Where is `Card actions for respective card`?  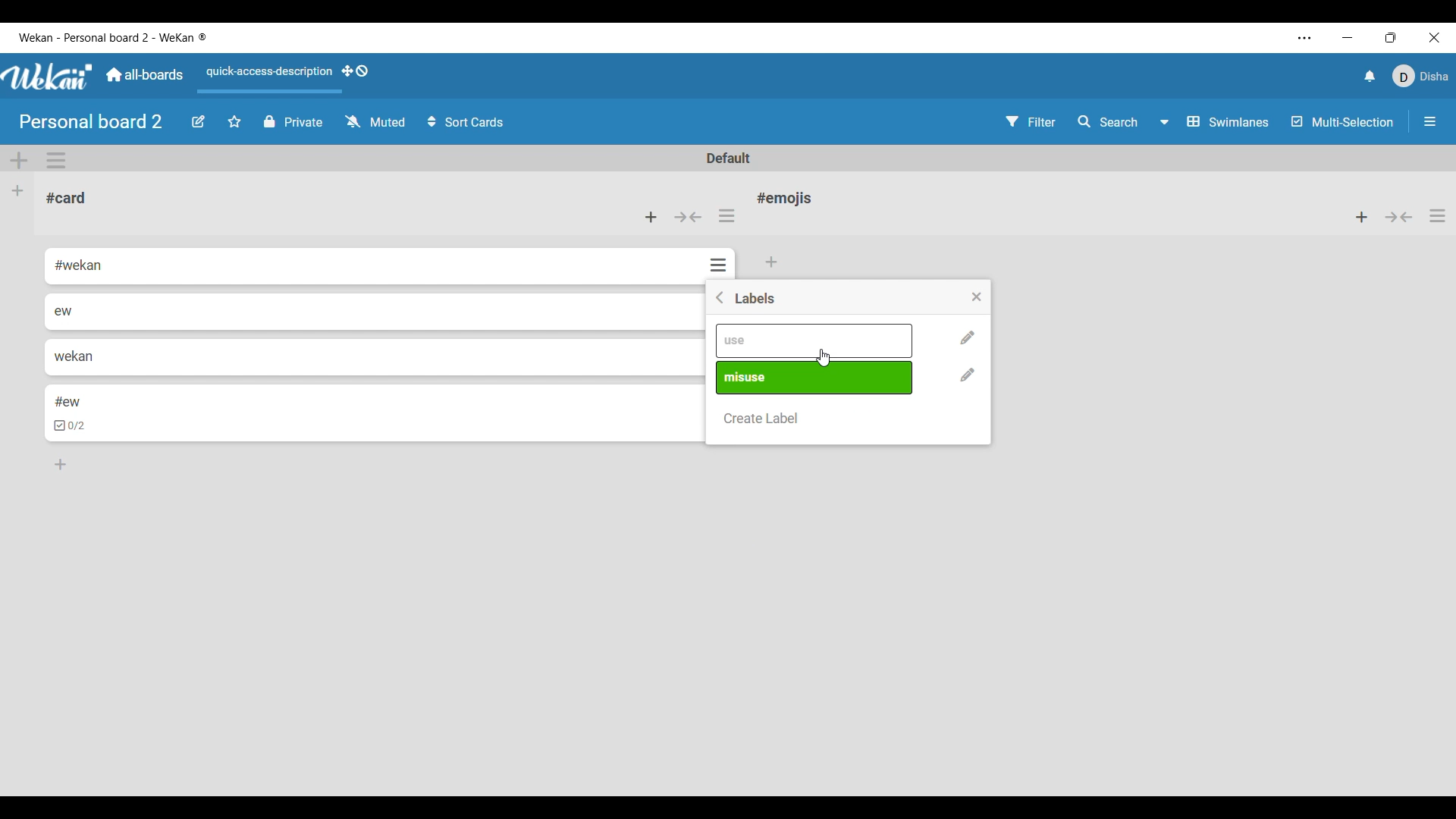 Card actions for respective card is located at coordinates (720, 265).